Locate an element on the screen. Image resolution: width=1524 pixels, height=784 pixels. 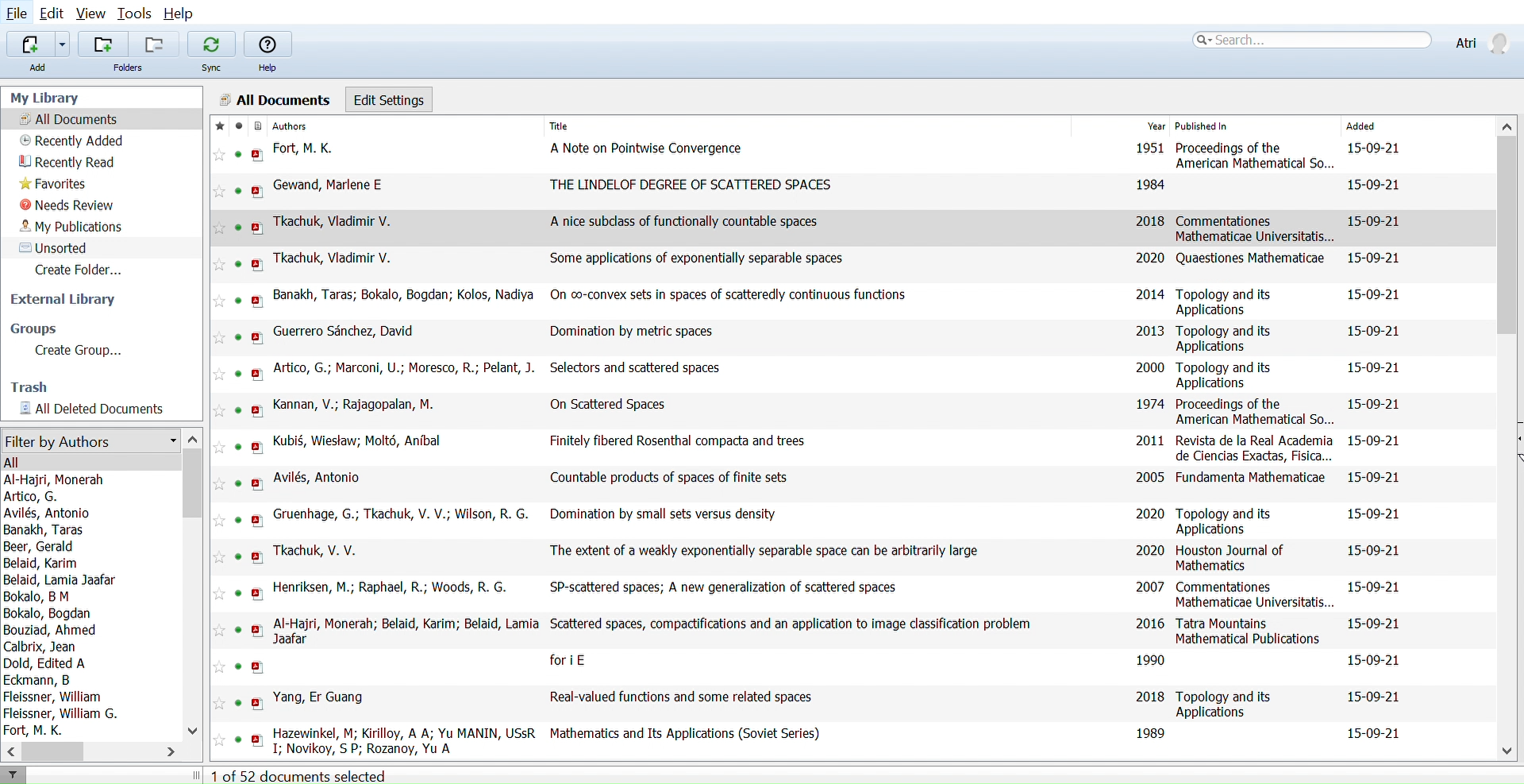
Filter by authors is located at coordinates (89, 442).